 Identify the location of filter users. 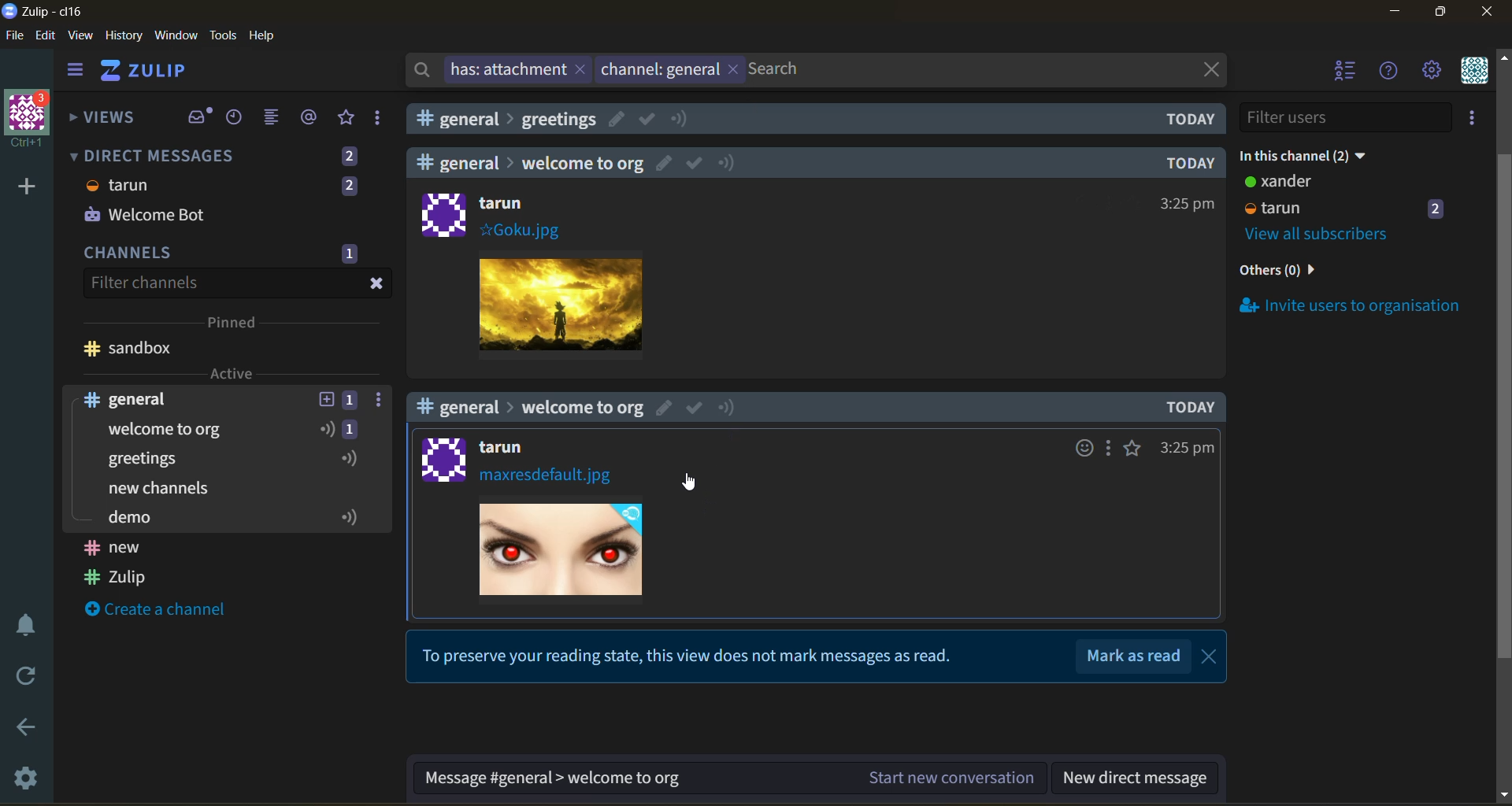
(1344, 119).